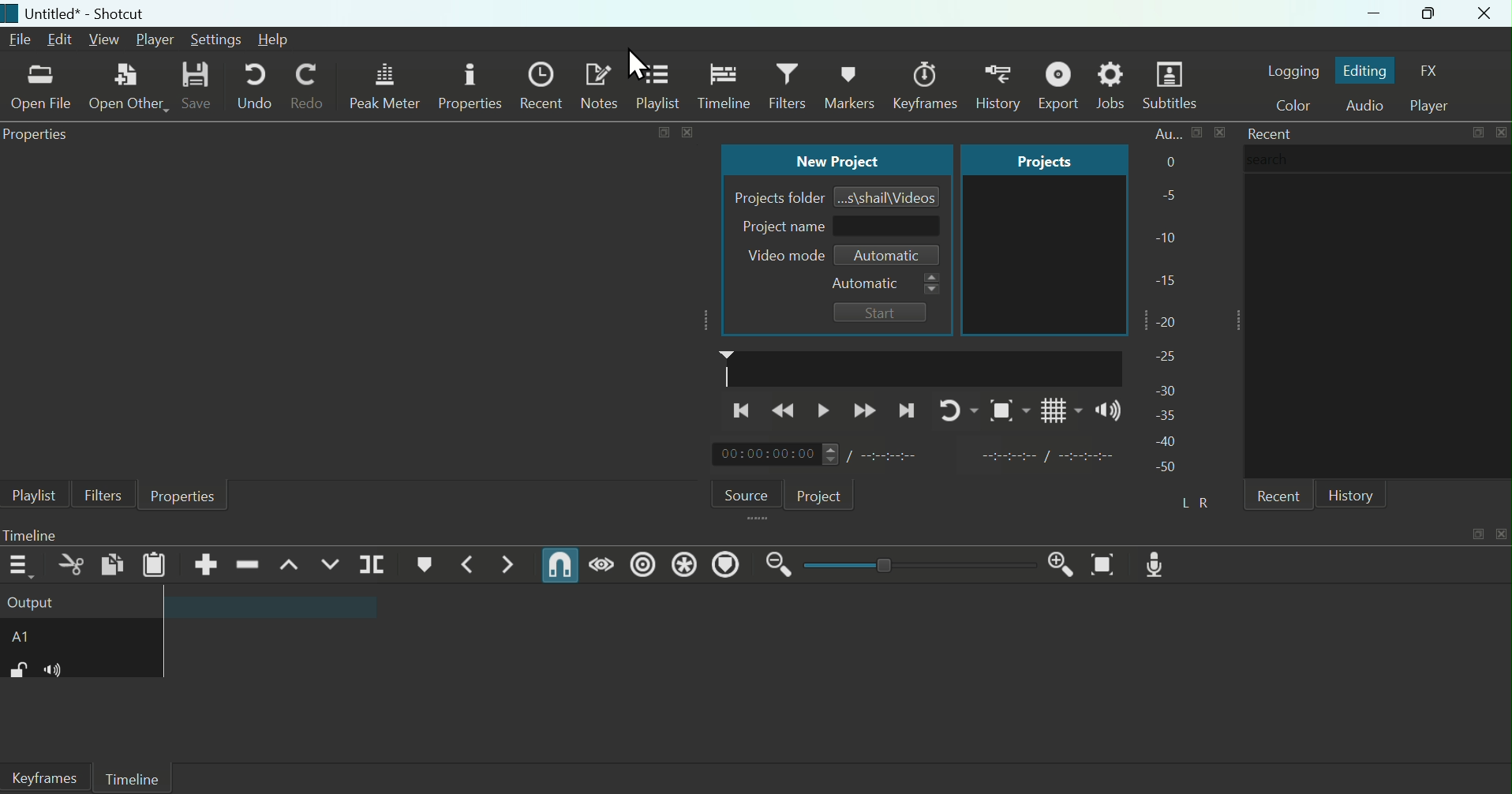  Describe the element at coordinates (603, 564) in the screenshot. I see `scrub while dragging` at that location.